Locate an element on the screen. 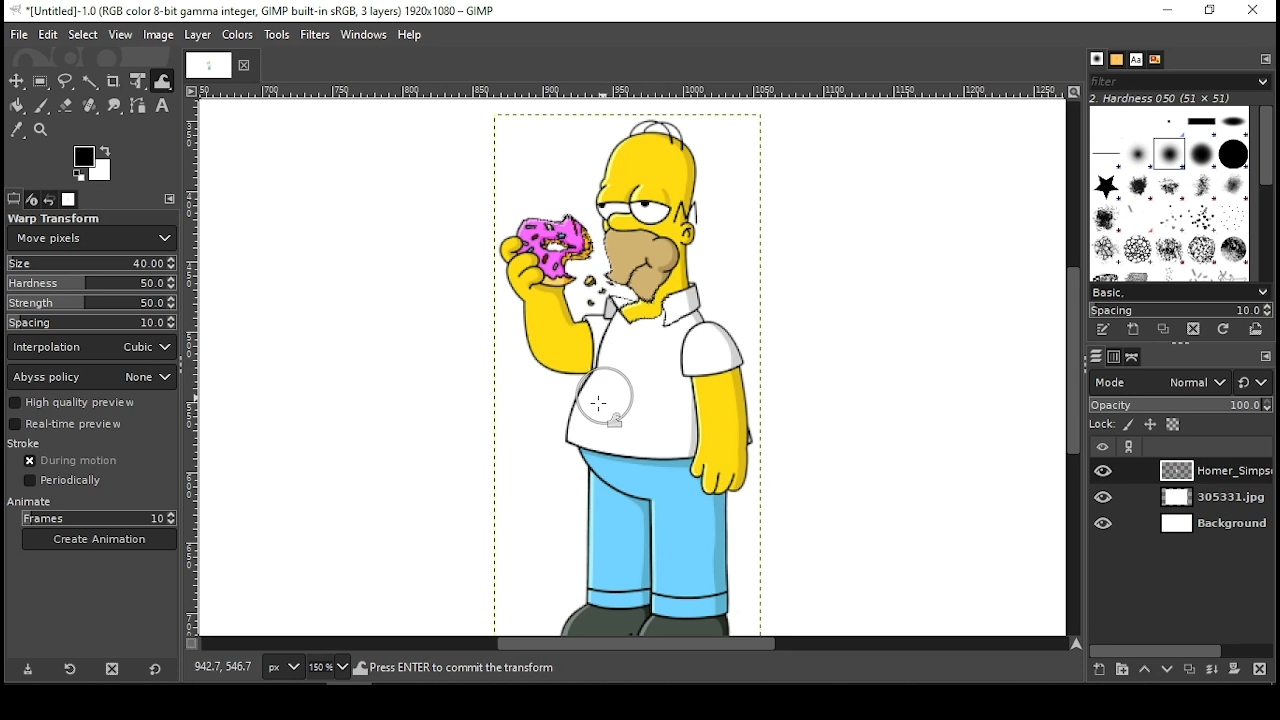  abyss policy is located at coordinates (92, 376).